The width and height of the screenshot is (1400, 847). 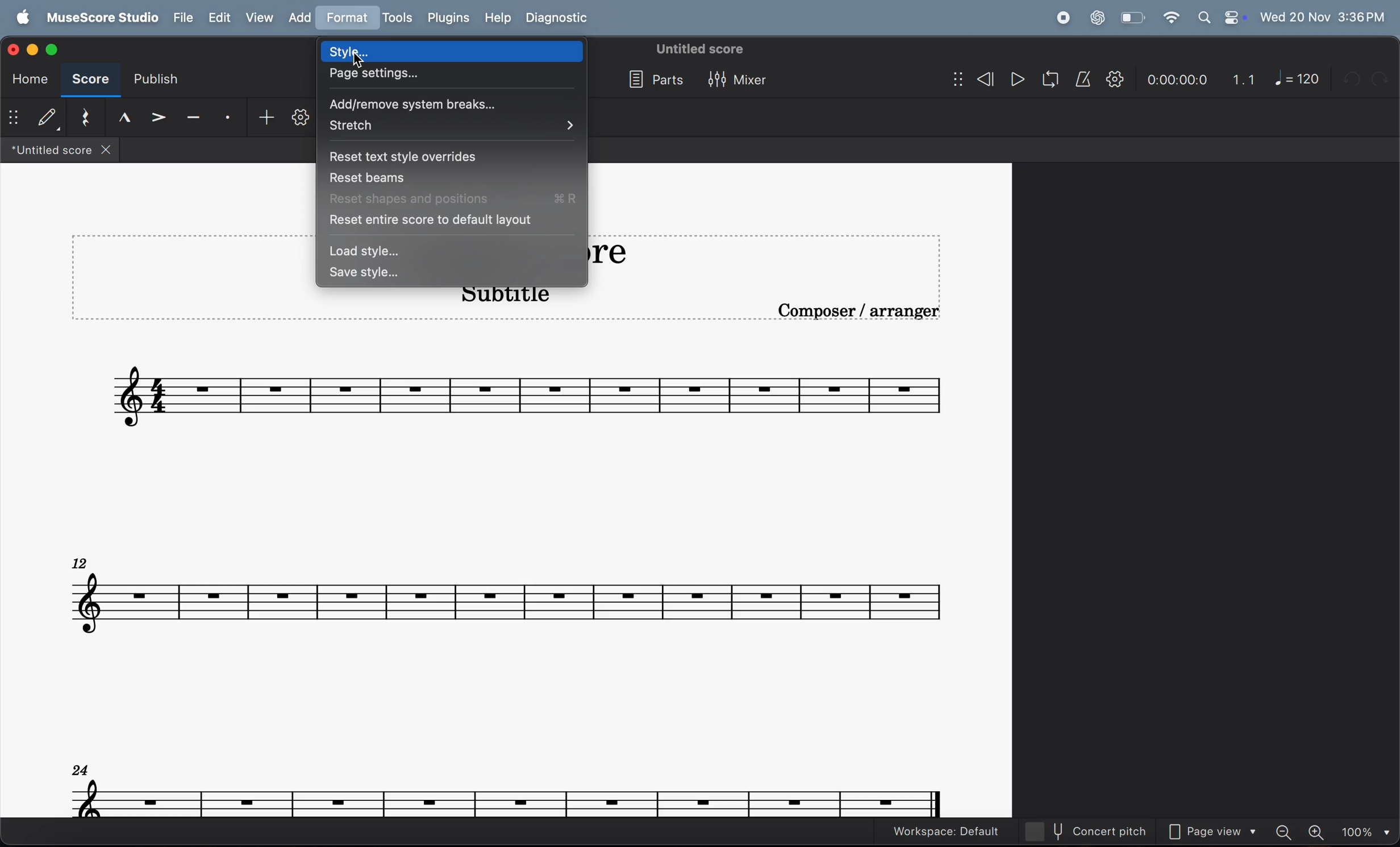 I want to click on reset entire to default score, so click(x=451, y=222).